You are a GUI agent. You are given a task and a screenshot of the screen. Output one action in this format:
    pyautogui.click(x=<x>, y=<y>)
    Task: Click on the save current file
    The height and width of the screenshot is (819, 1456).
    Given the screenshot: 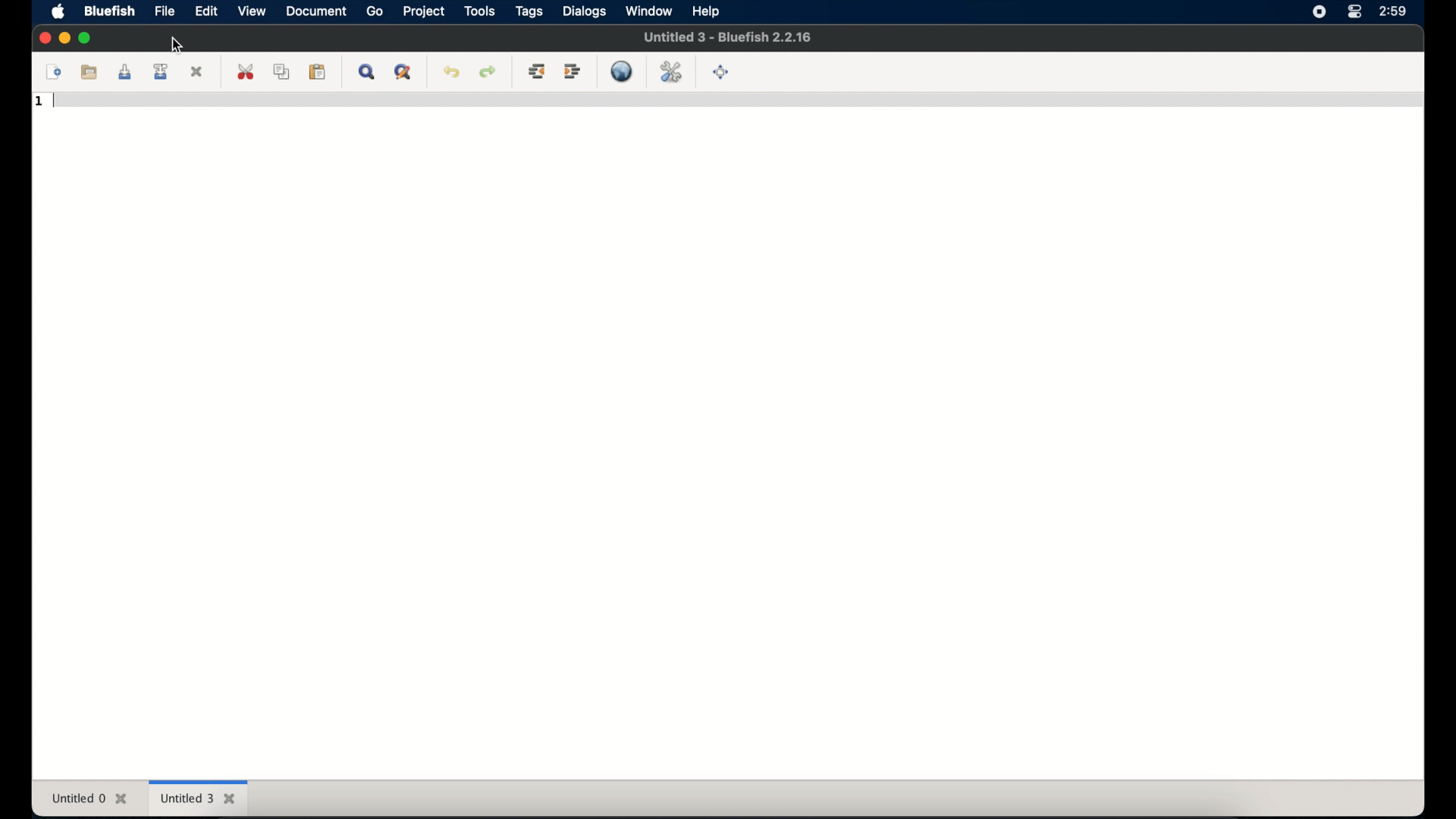 What is the action you would take?
    pyautogui.click(x=125, y=71)
    